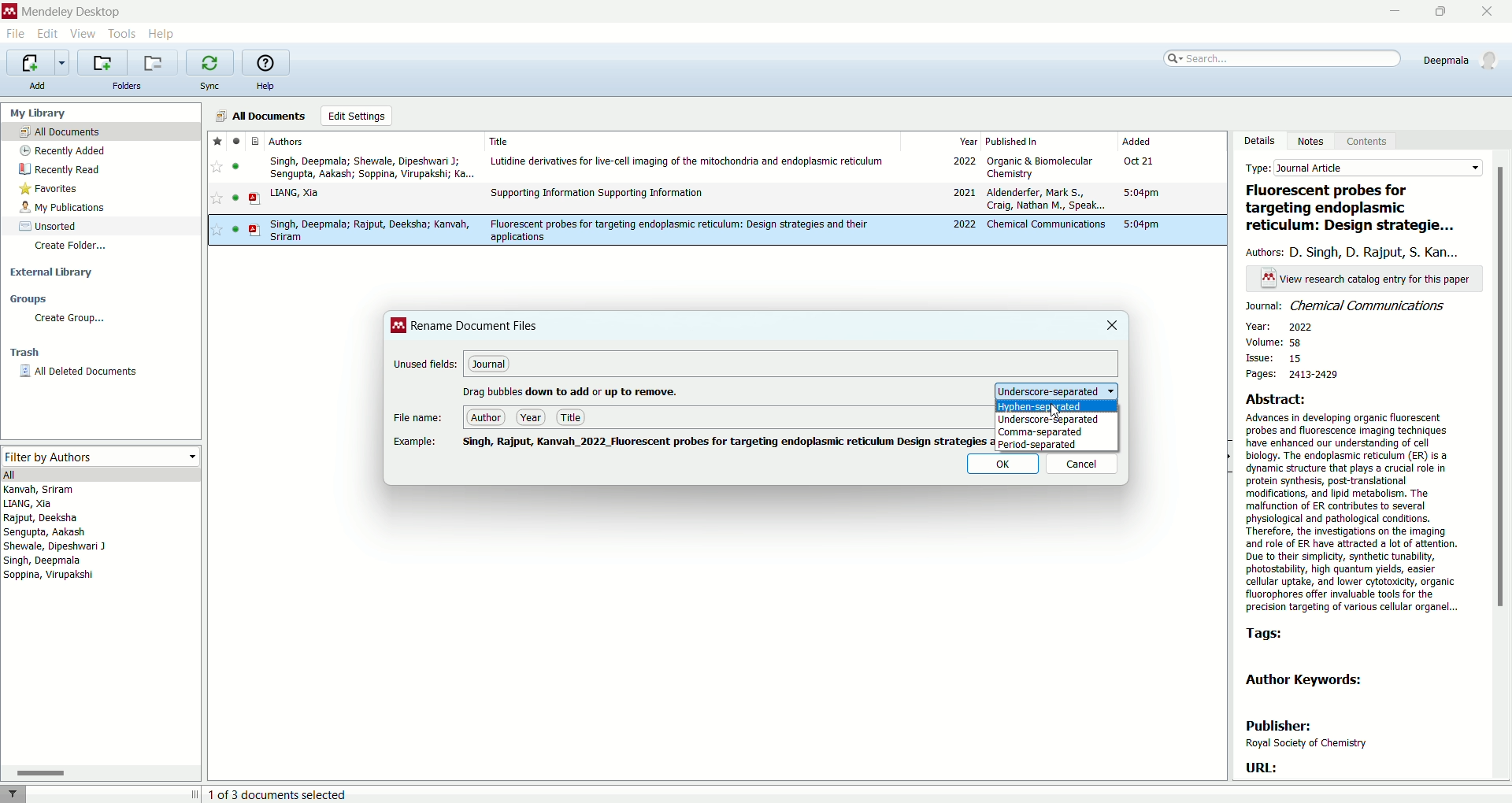  I want to click on underscore-separated, so click(1055, 390).